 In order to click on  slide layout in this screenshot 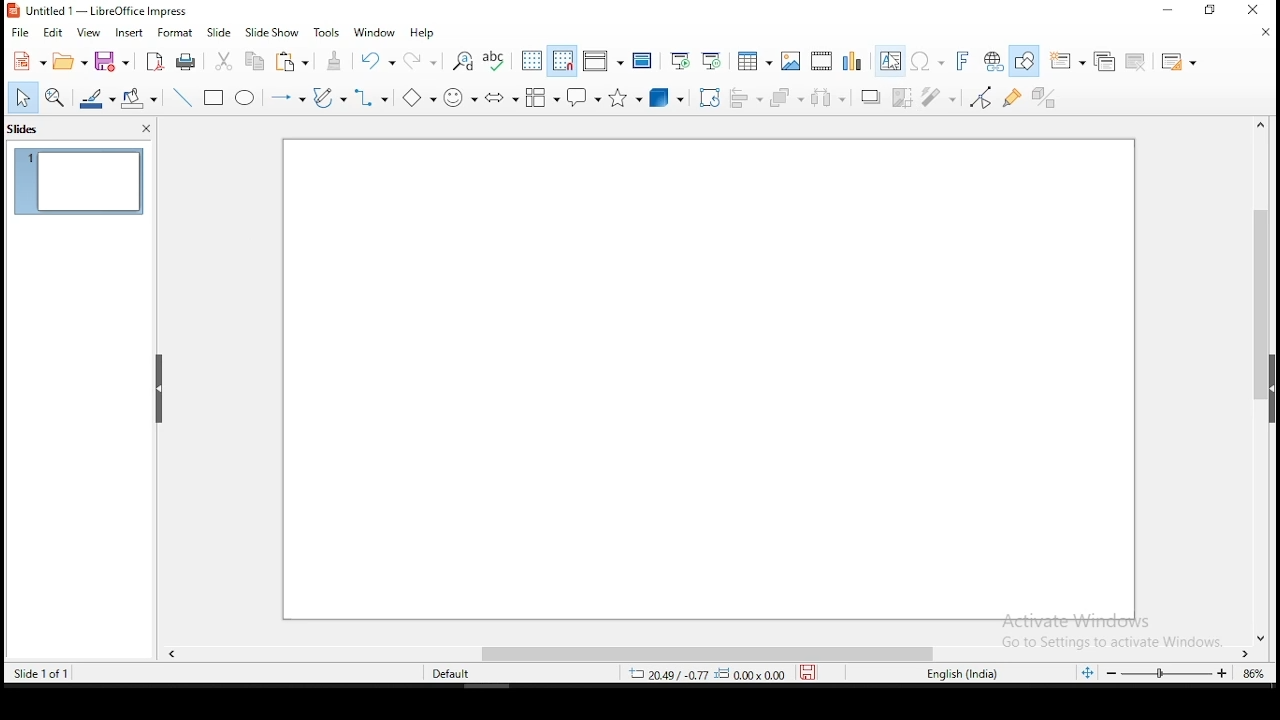, I will do `click(1180, 60)`.